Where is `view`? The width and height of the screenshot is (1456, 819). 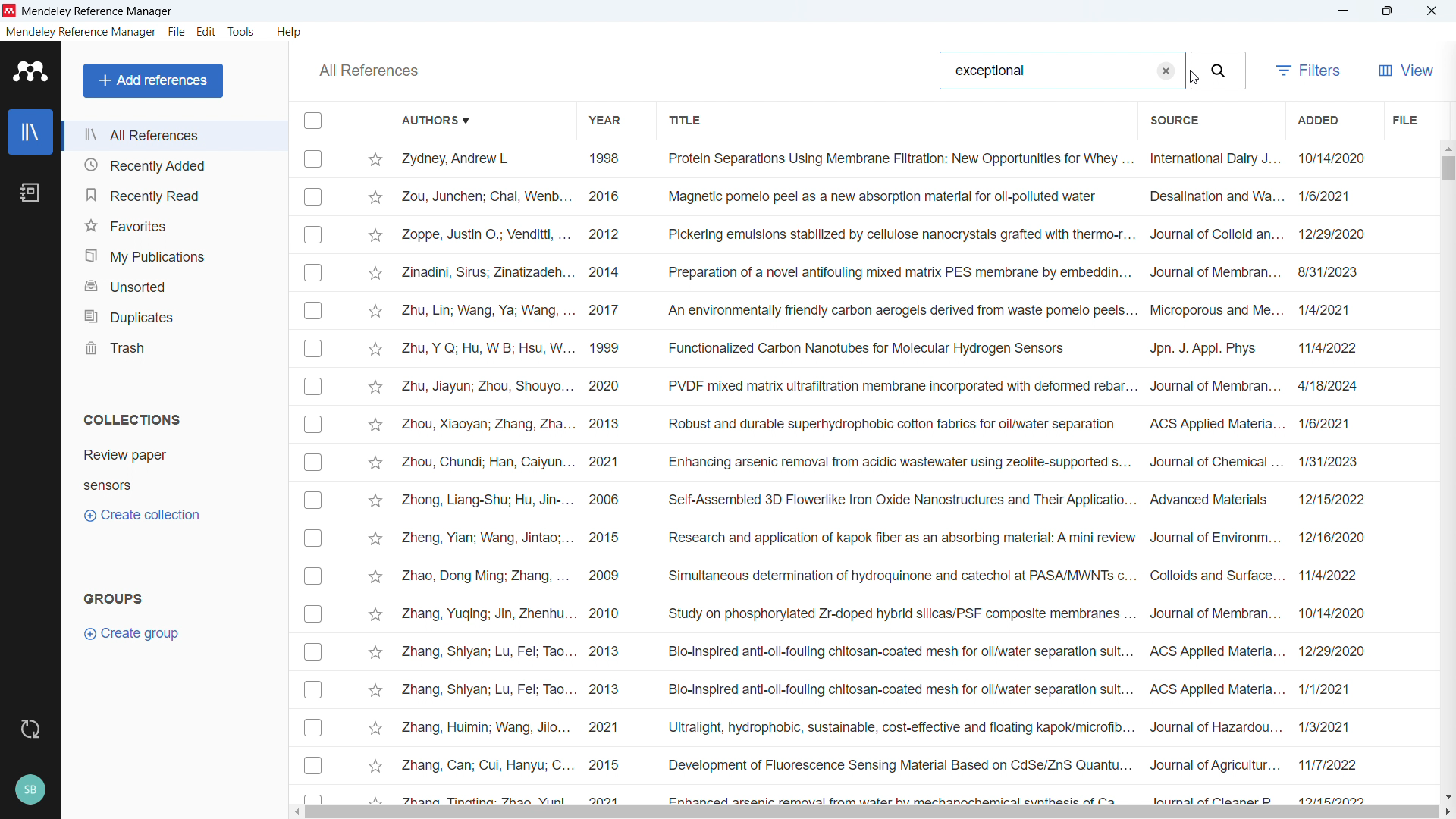 view is located at coordinates (1404, 71).